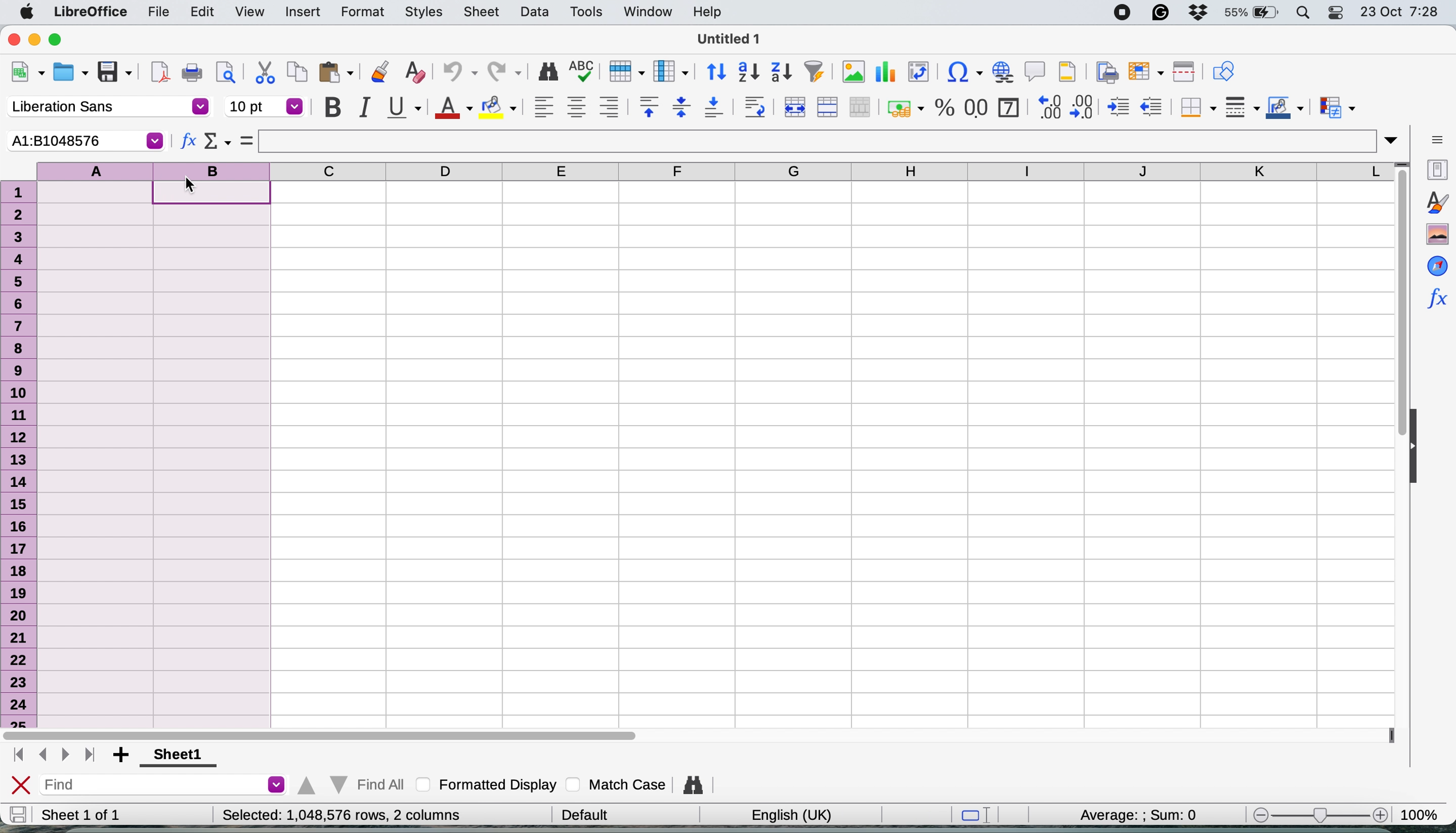 The height and width of the screenshot is (833, 1456). I want to click on new, so click(26, 73).